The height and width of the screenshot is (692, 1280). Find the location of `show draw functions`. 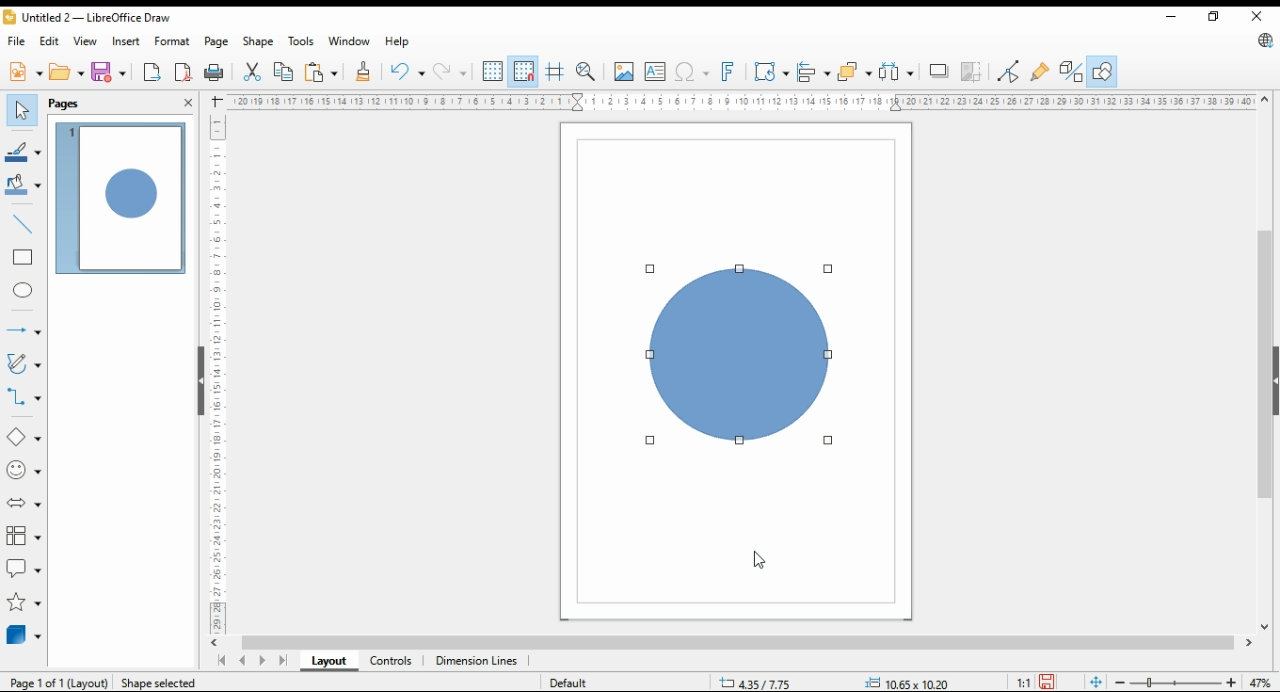

show draw functions is located at coordinates (1102, 72).